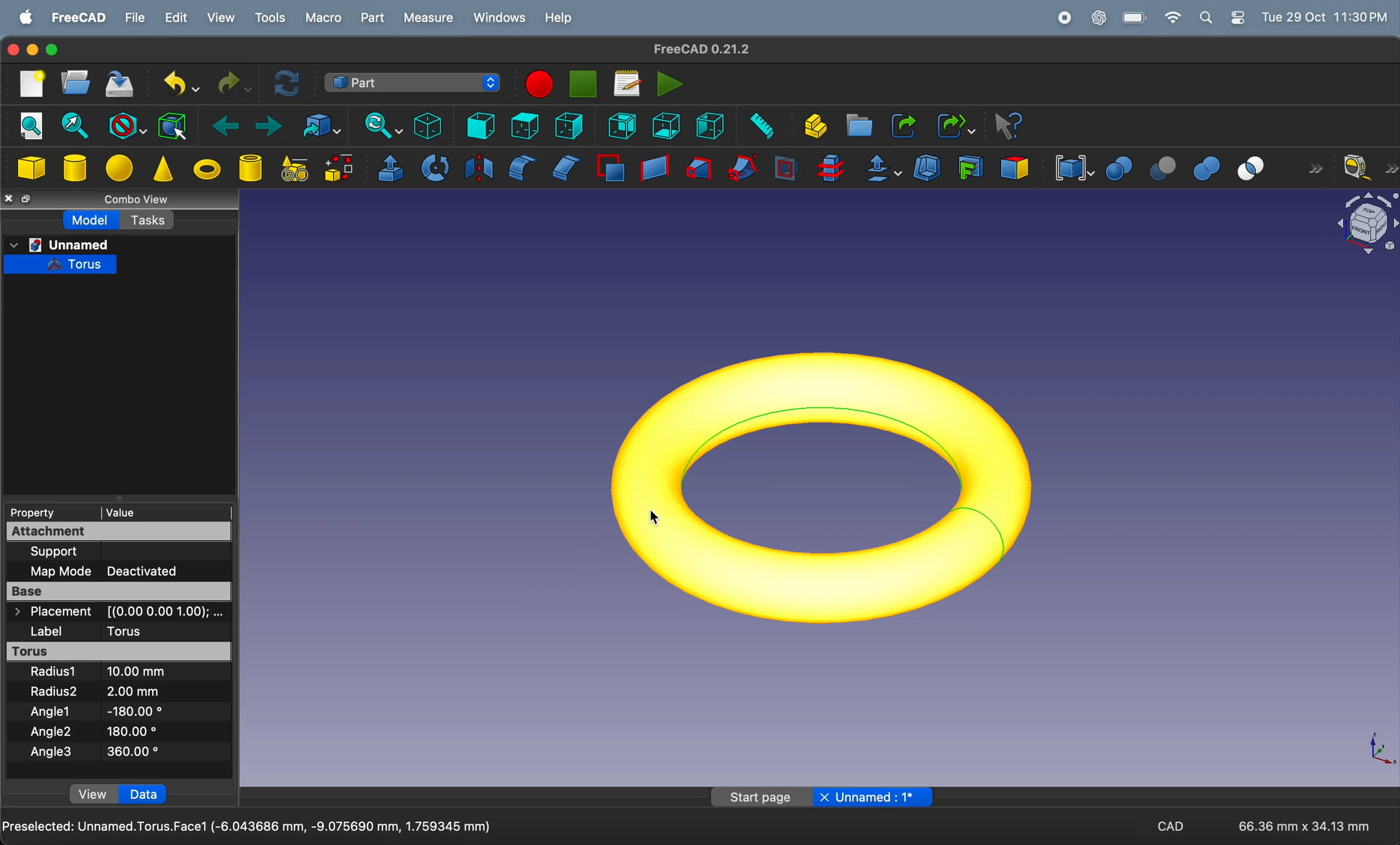  Describe the element at coordinates (52, 733) in the screenshot. I see `Angle 2` at that location.